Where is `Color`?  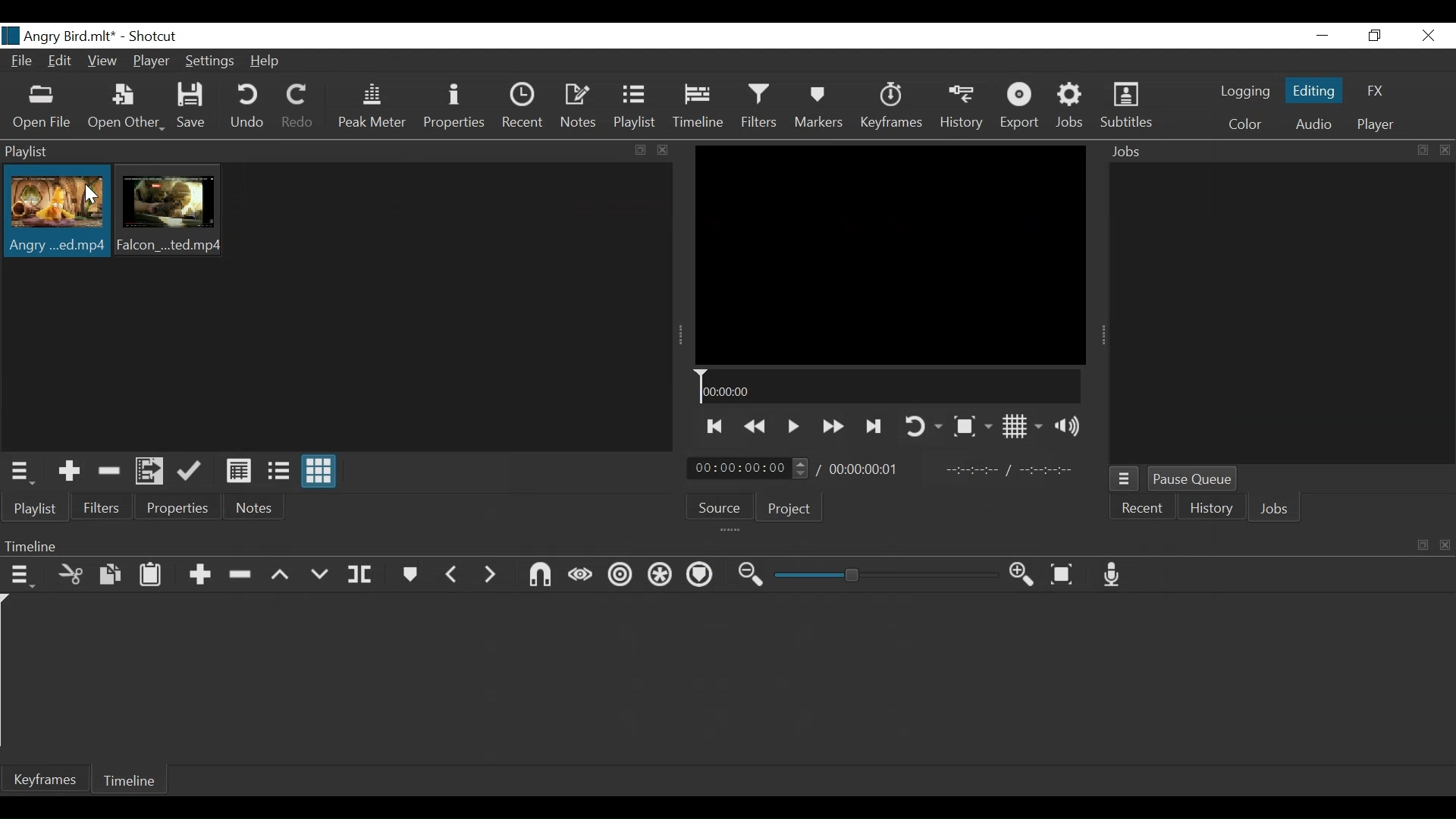 Color is located at coordinates (1241, 124).